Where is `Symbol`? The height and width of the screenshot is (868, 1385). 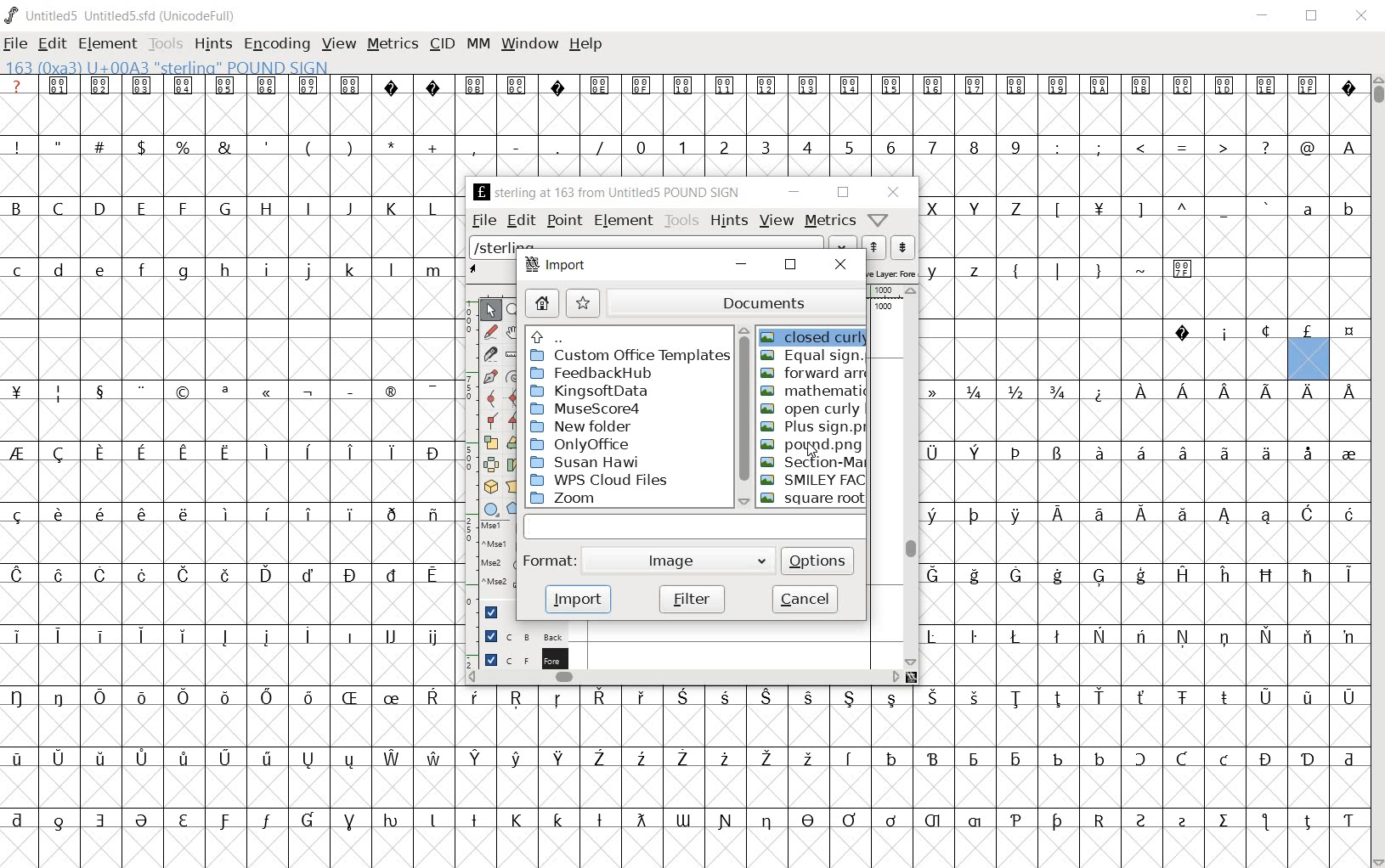
Symbol is located at coordinates (1098, 211).